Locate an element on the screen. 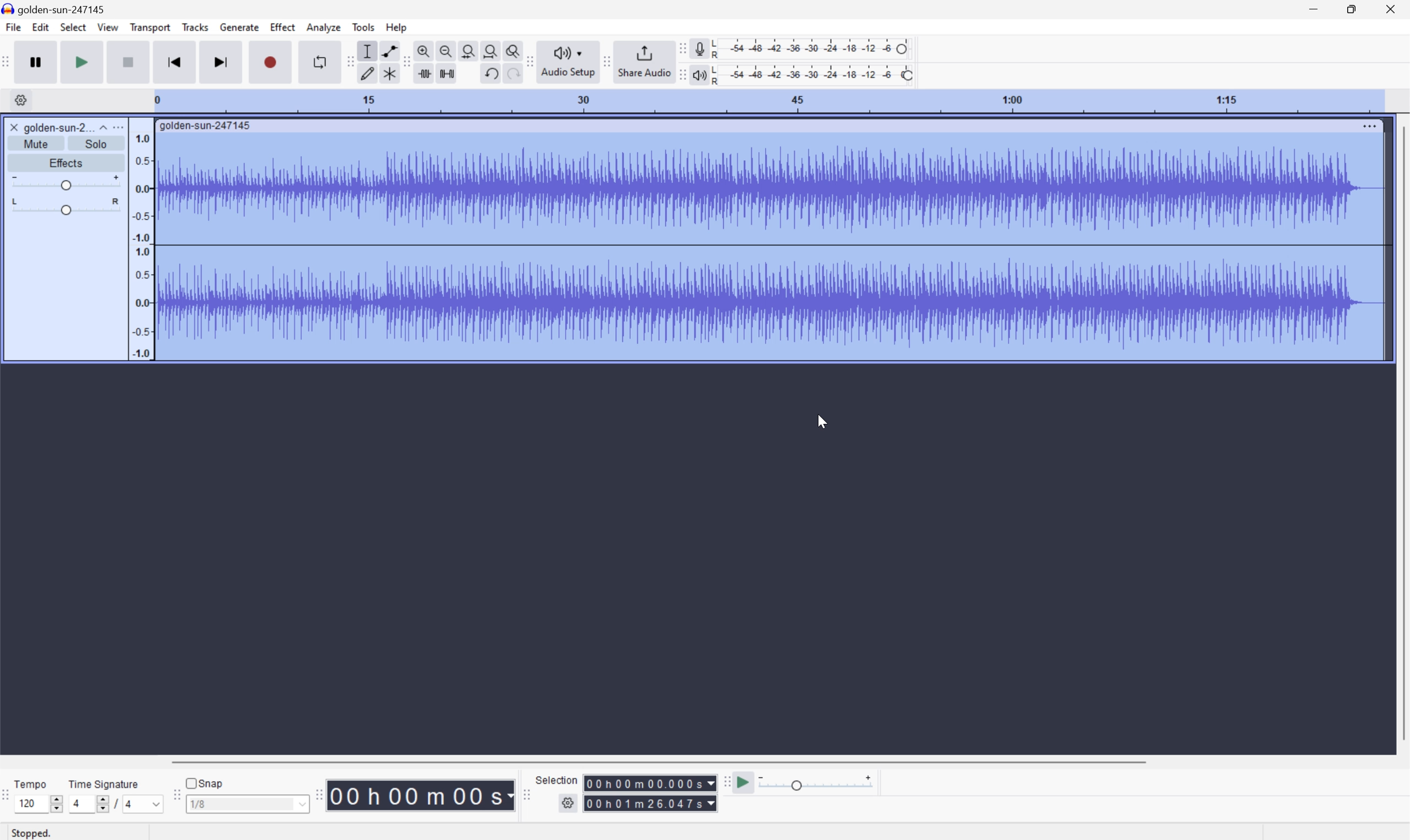 Image resolution: width=1410 pixels, height=840 pixels. 1/8 is located at coordinates (246, 804).